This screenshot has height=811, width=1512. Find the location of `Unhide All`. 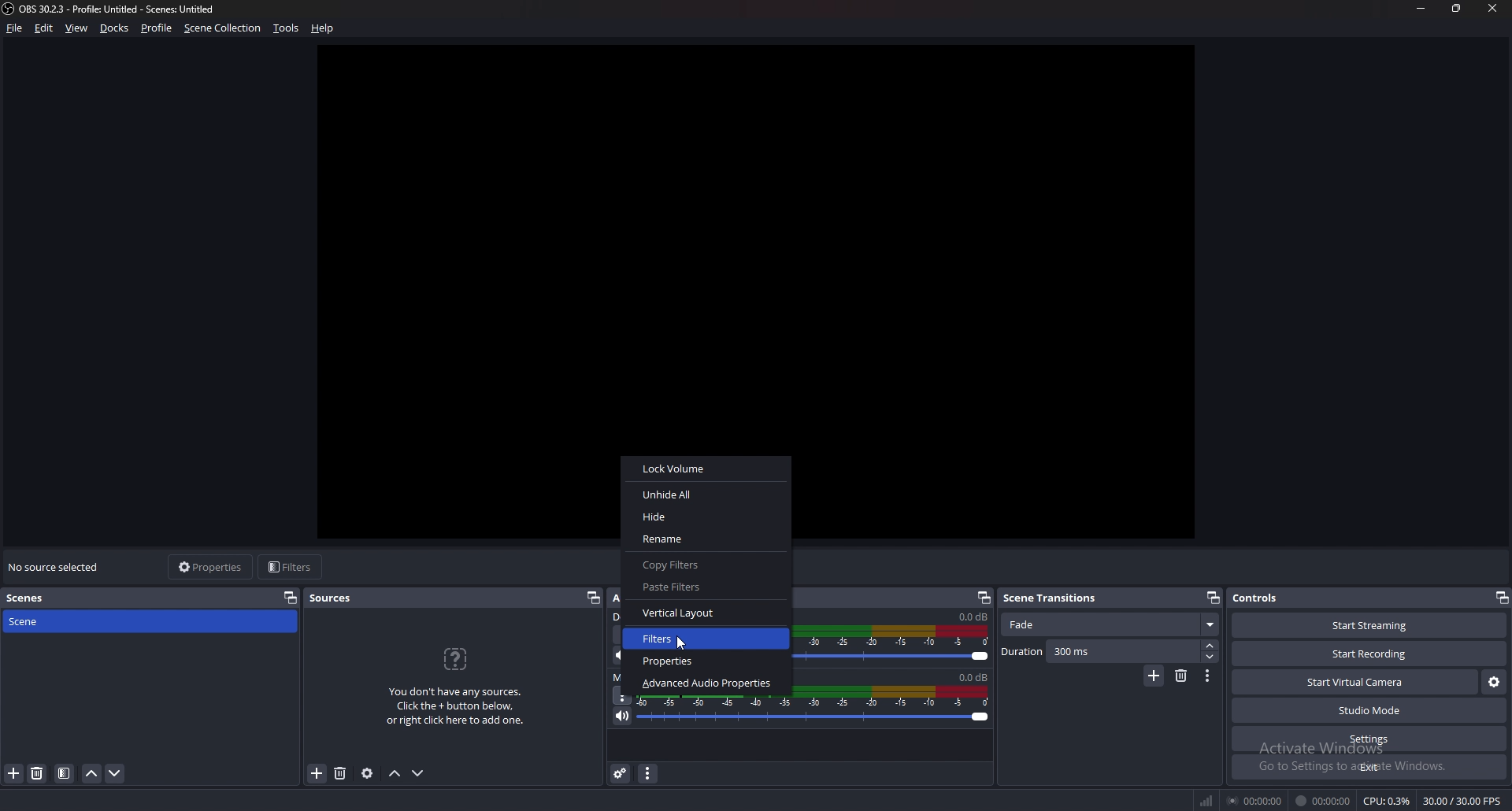

Unhide All is located at coordinates (669, 497).